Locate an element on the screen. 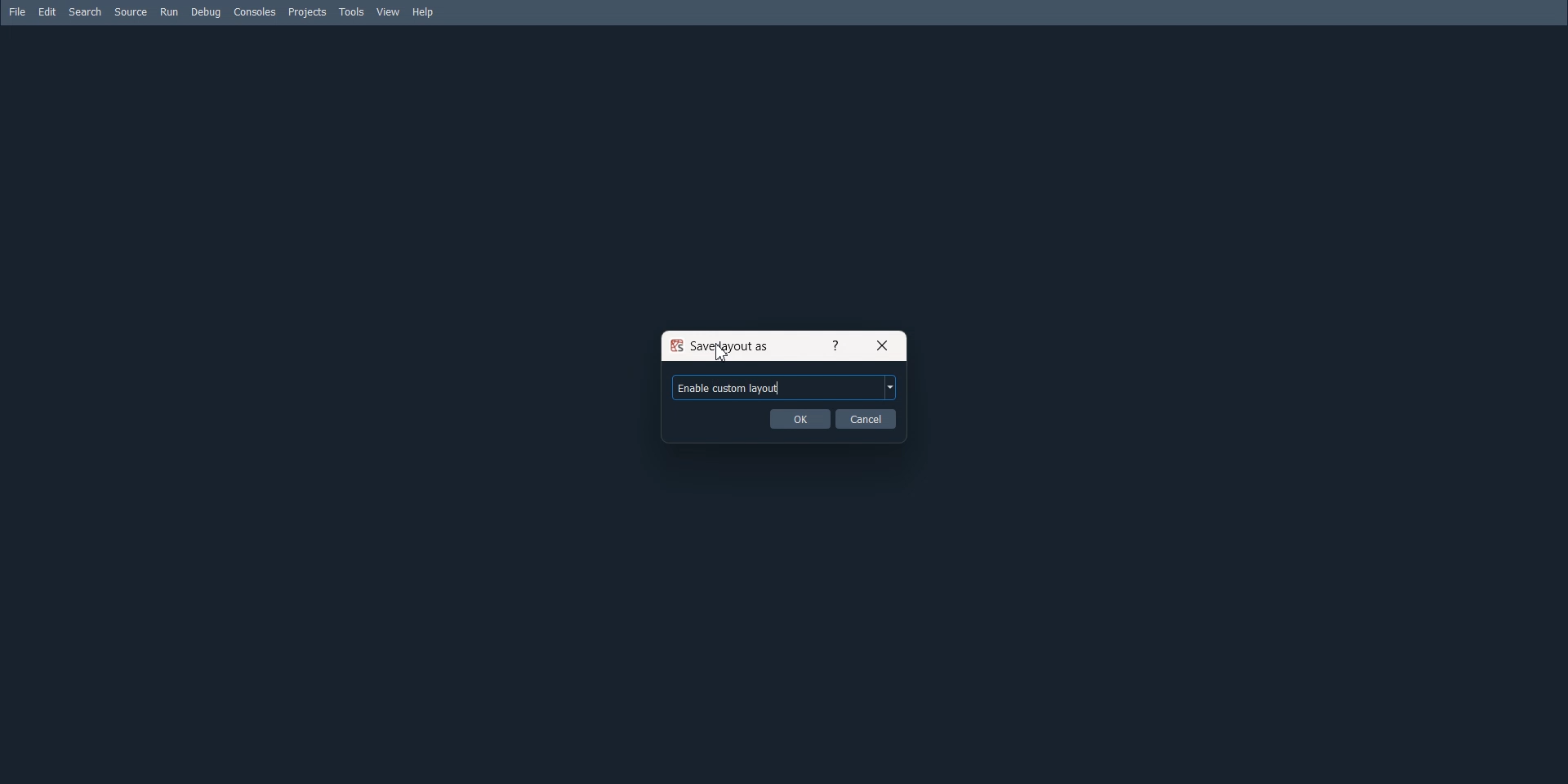  Tools is located at coordinates (353, 12).